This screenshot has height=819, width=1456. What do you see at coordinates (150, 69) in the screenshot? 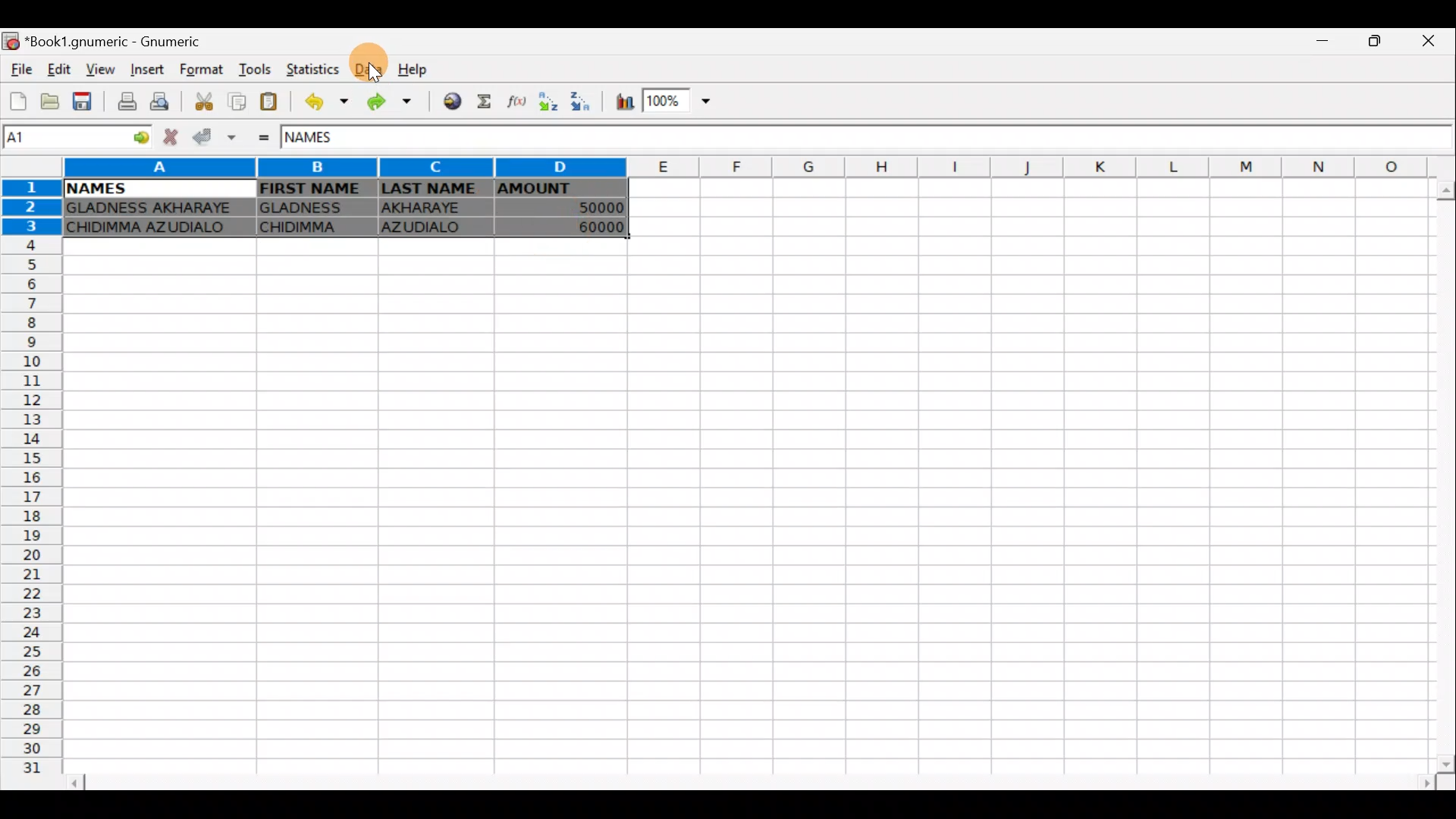
I see `Insert` at bounding box center [150, 69].